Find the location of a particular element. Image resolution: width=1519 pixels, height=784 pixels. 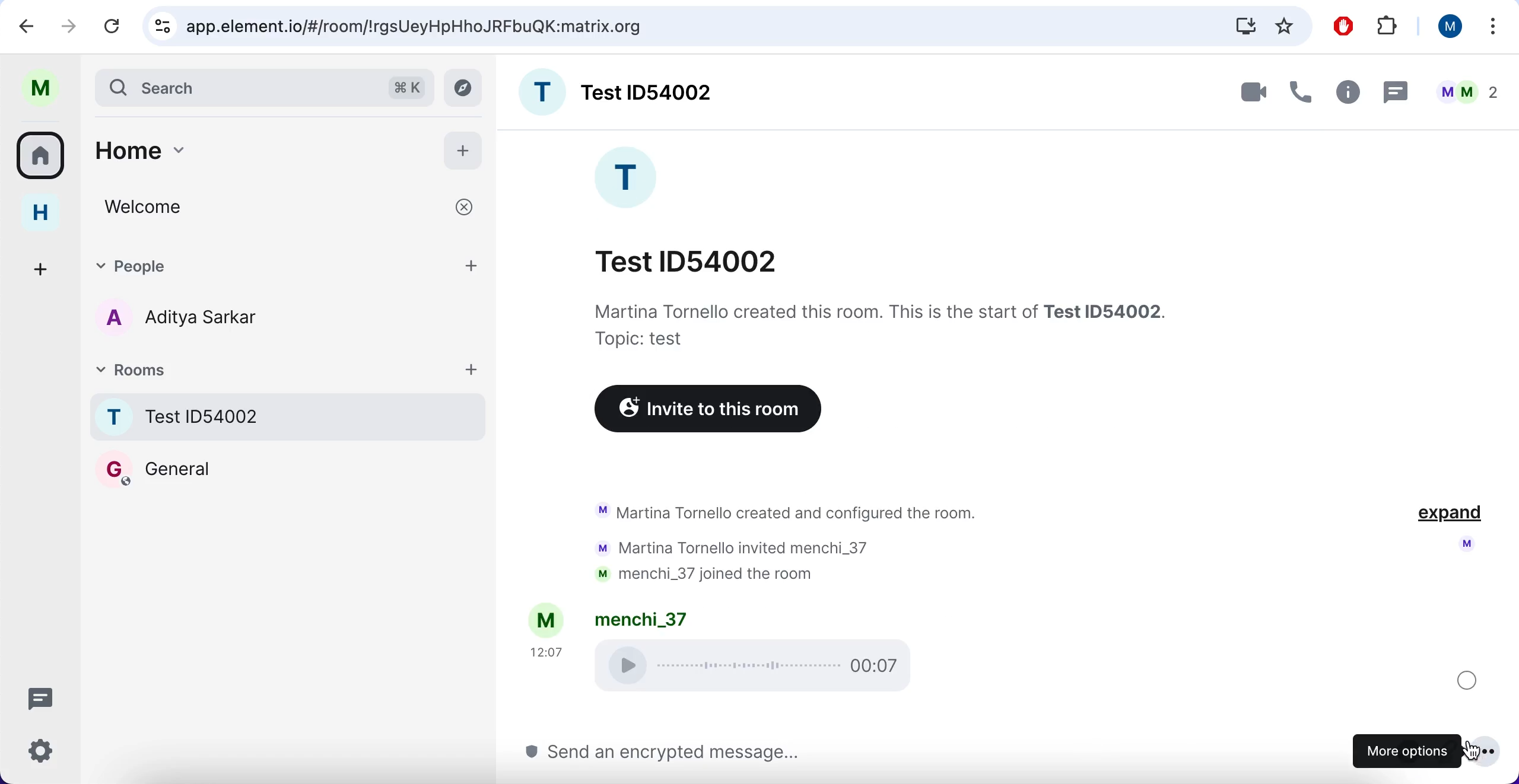

user is located at coordinates (1448, 27).